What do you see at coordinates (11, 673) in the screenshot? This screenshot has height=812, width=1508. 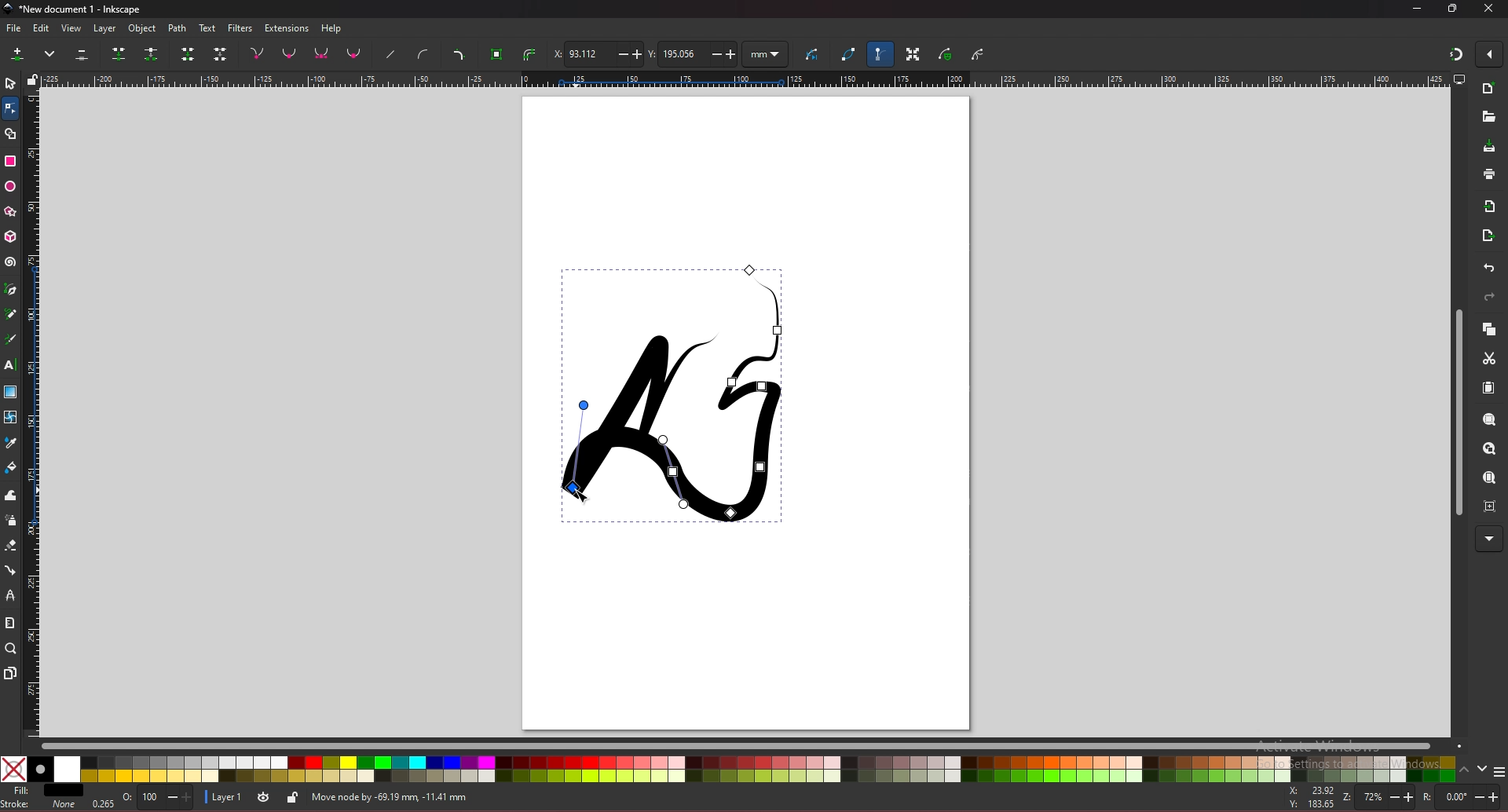 I see `pages` at bounding box center [11, 673].